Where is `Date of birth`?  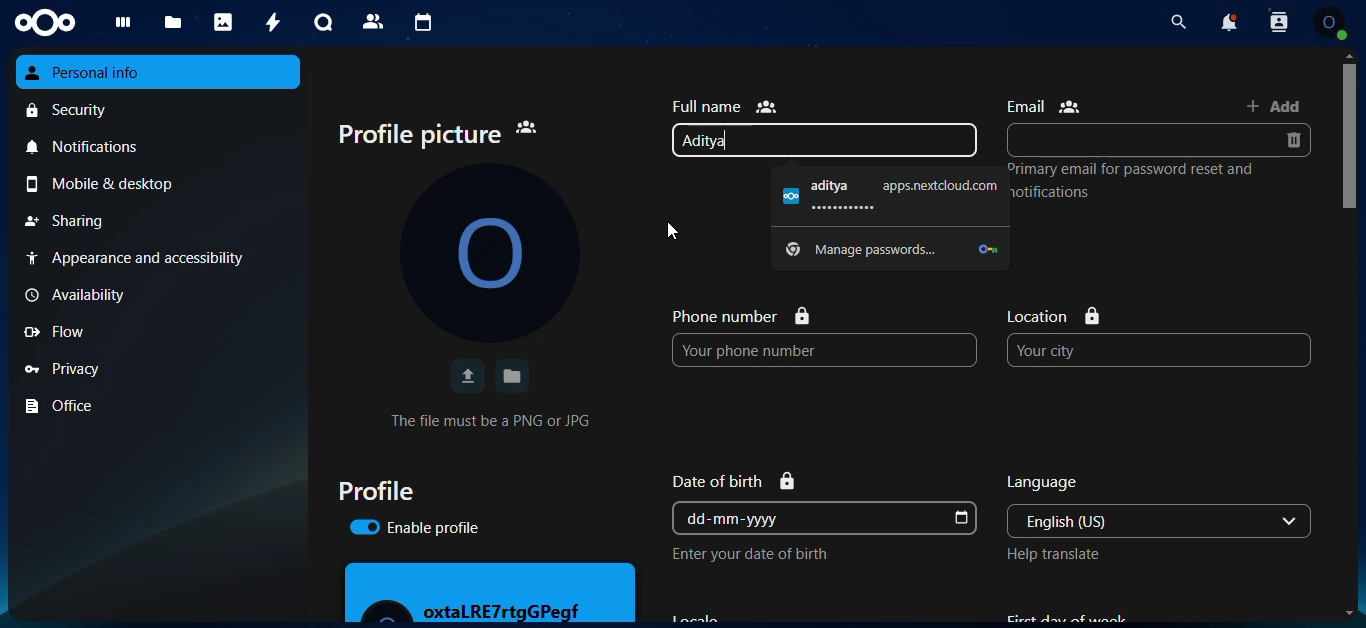 Date of birth is located at coordinates (734, 481).